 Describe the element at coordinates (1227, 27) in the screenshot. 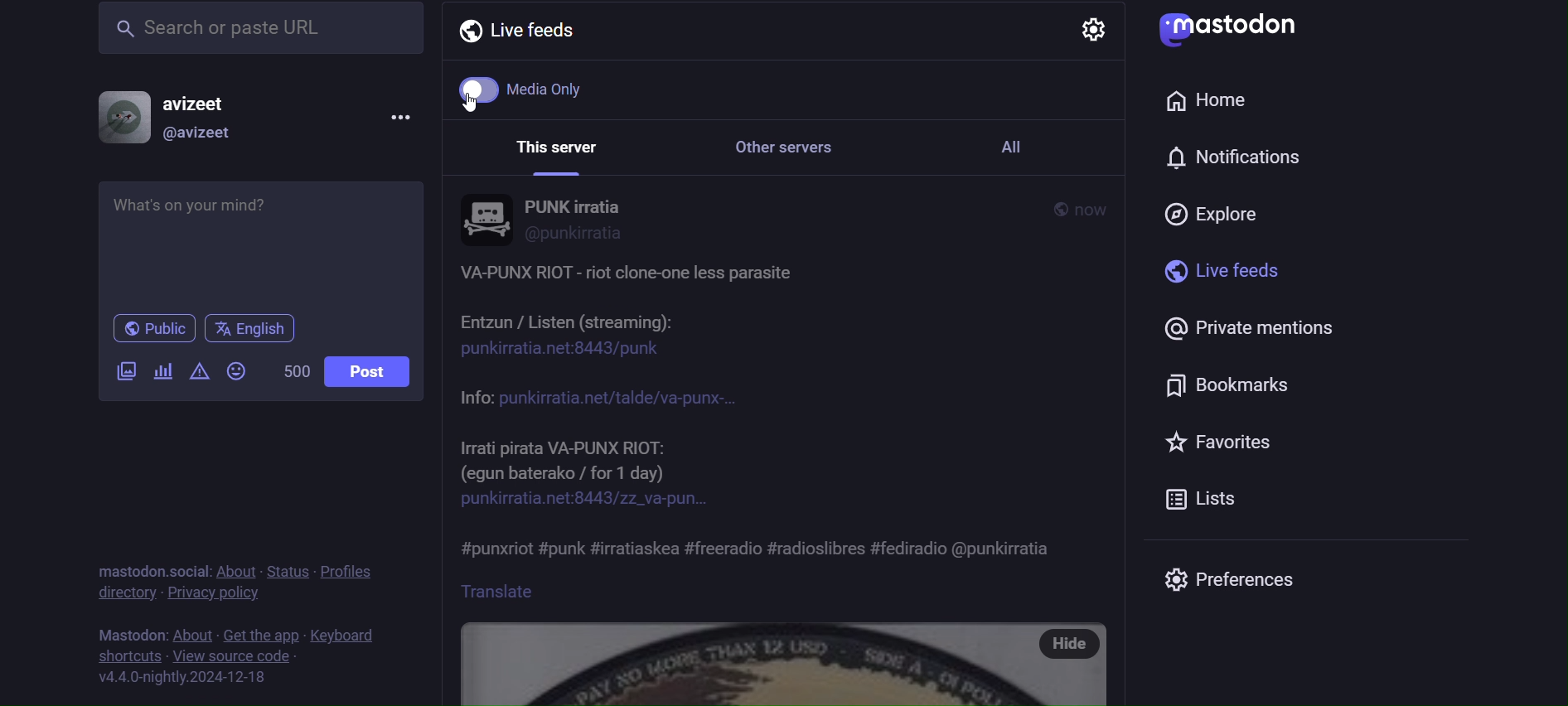

I see `mastodon` at that location.